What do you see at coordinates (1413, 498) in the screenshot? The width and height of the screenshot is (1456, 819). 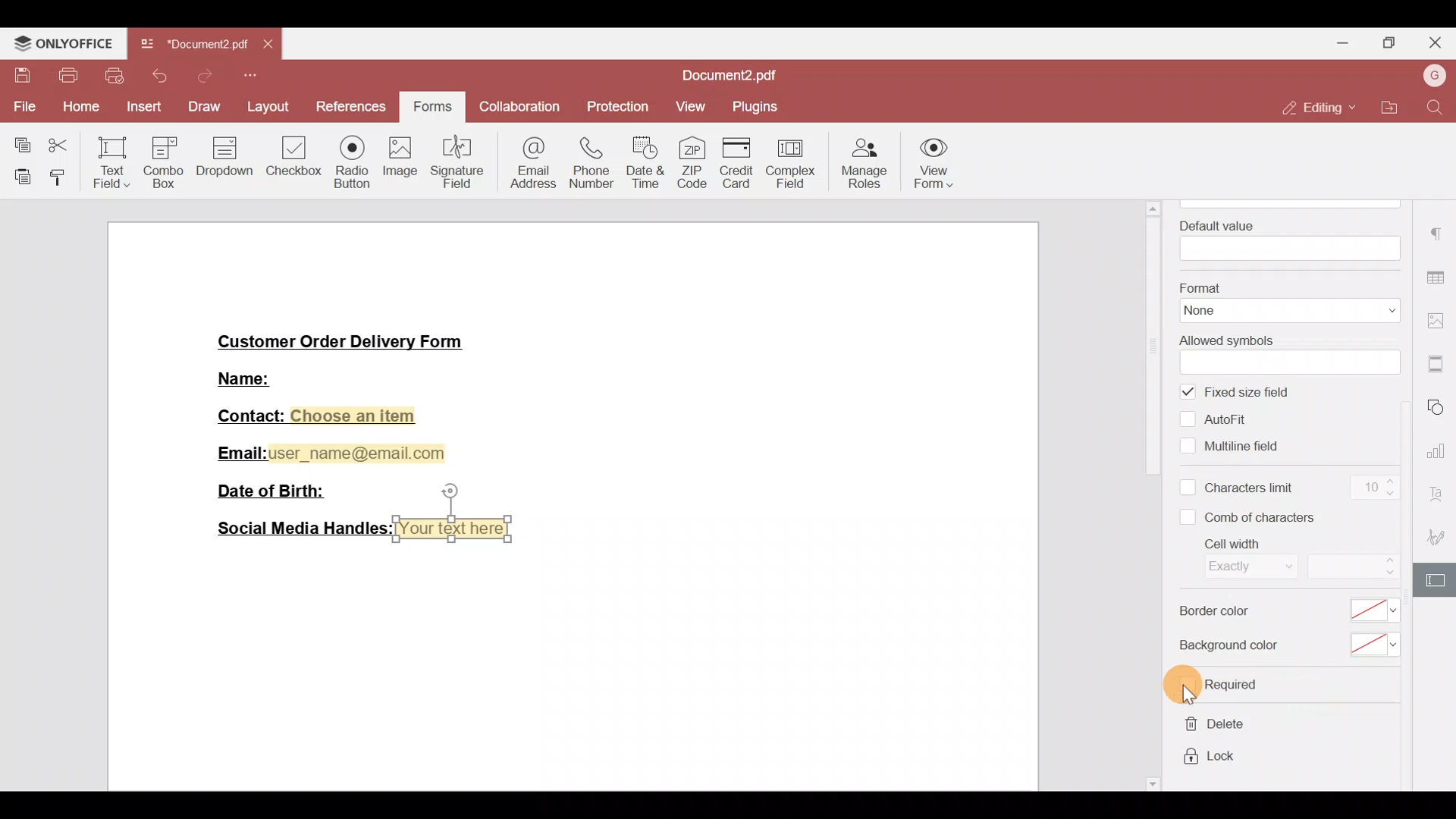 I see `Scroll bar` at bounding box center [1413, 498].